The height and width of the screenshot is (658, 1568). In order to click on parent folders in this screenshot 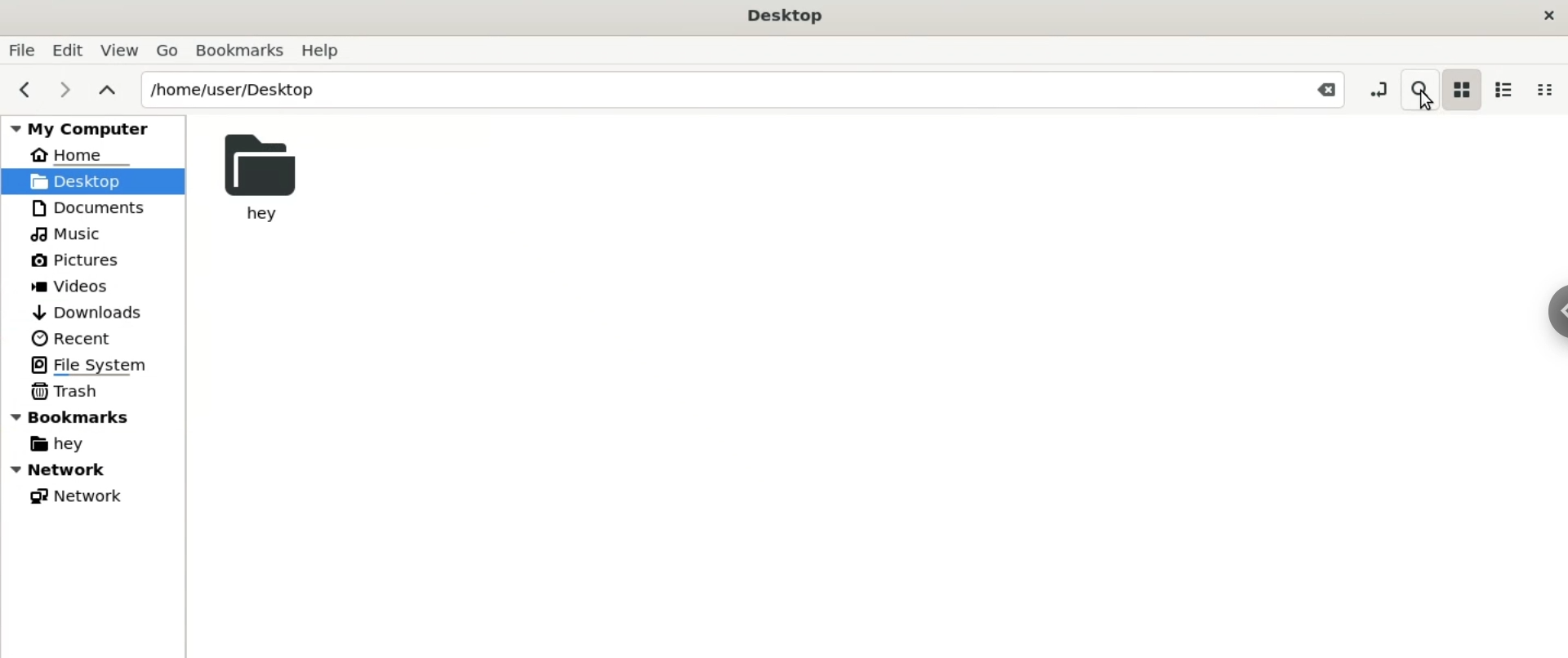, I will do `click(106, 88)`.